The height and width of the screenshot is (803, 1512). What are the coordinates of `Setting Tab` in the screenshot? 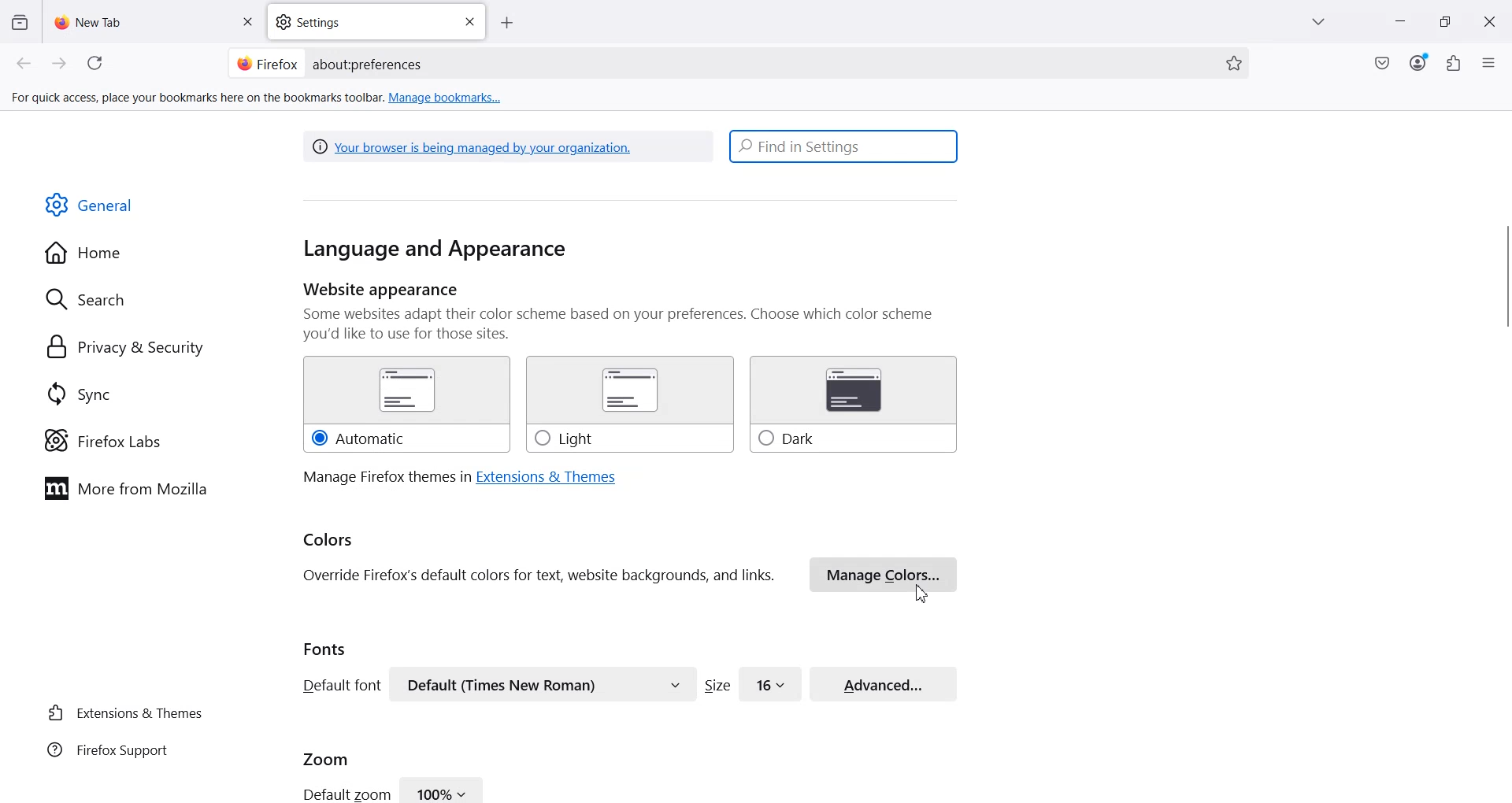 It's located at (378, 22).